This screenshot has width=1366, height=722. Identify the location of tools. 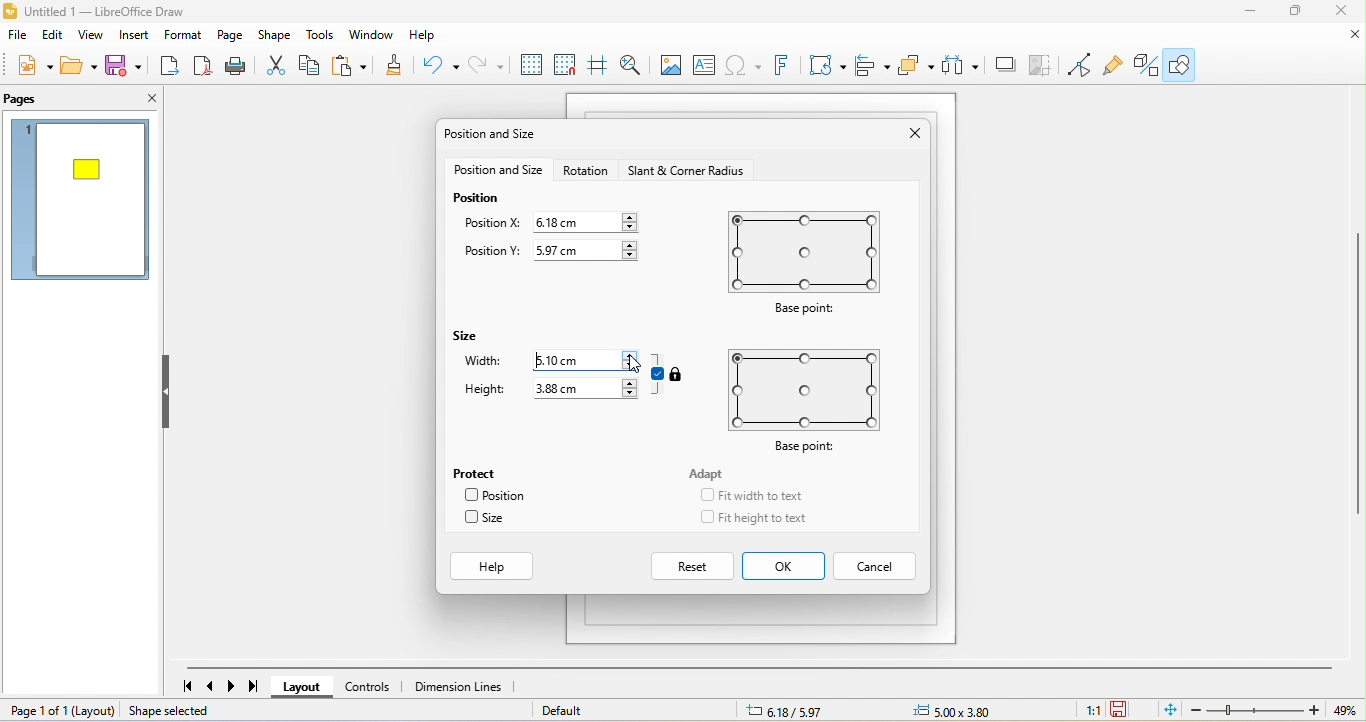
(321, 36).